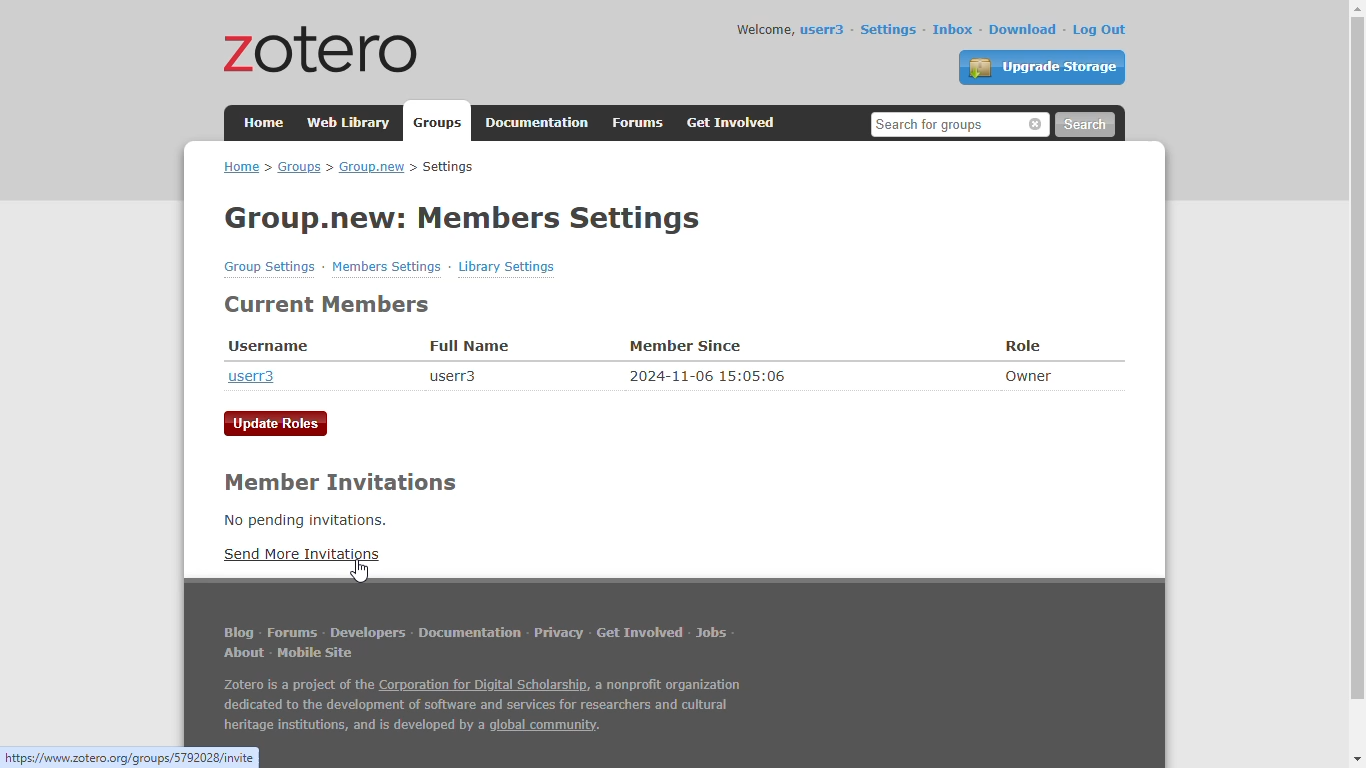 This screenshot has height=768, width=1366. I want to click on get involved, so click(641, 633).